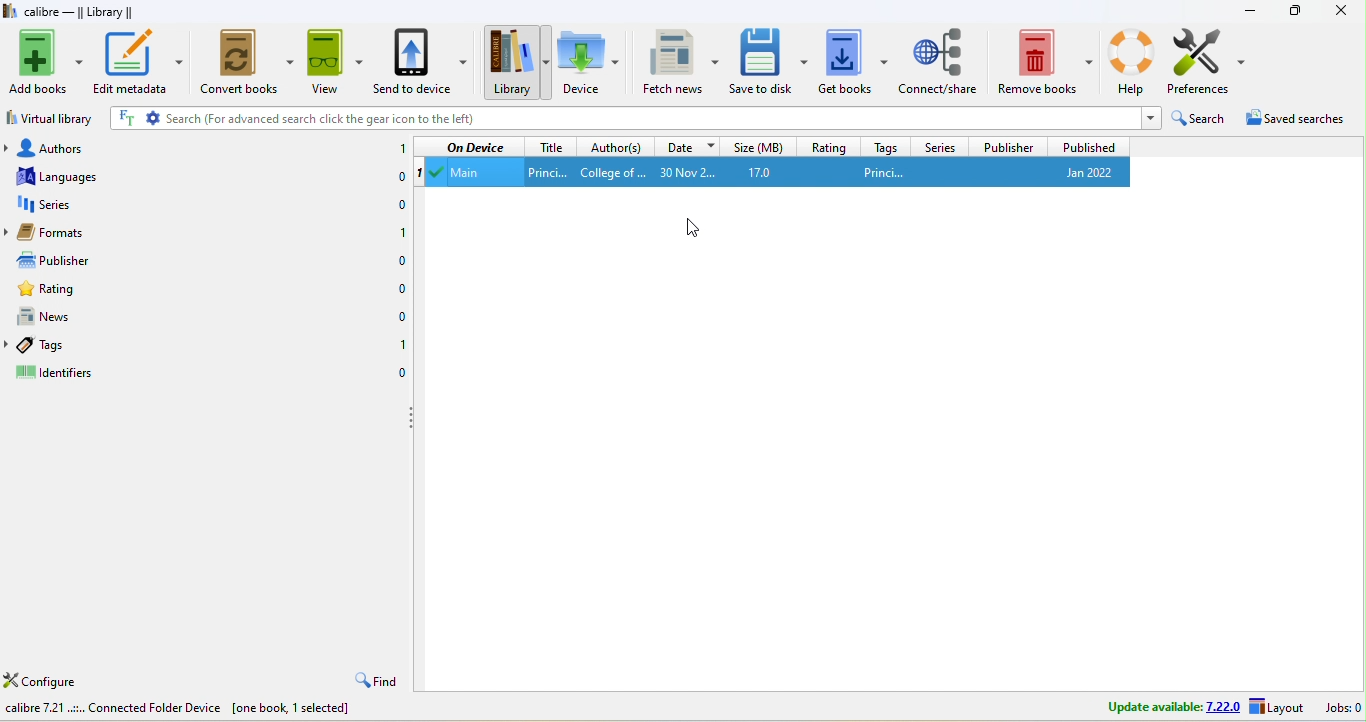  Describe the element at coordinates (60, 315) in the screenshot. I see `news` at that location.